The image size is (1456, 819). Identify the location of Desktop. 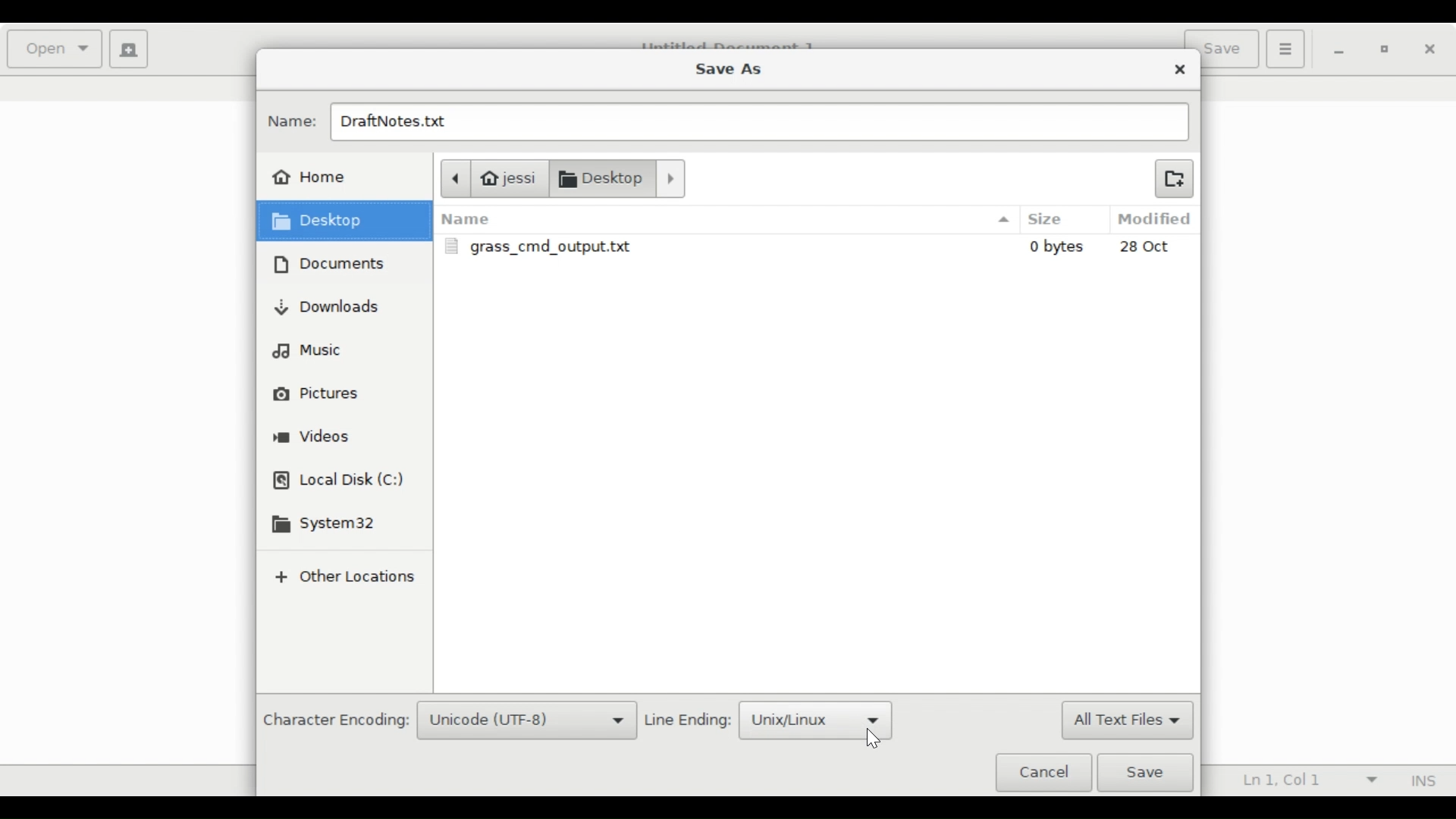
(325, 221).